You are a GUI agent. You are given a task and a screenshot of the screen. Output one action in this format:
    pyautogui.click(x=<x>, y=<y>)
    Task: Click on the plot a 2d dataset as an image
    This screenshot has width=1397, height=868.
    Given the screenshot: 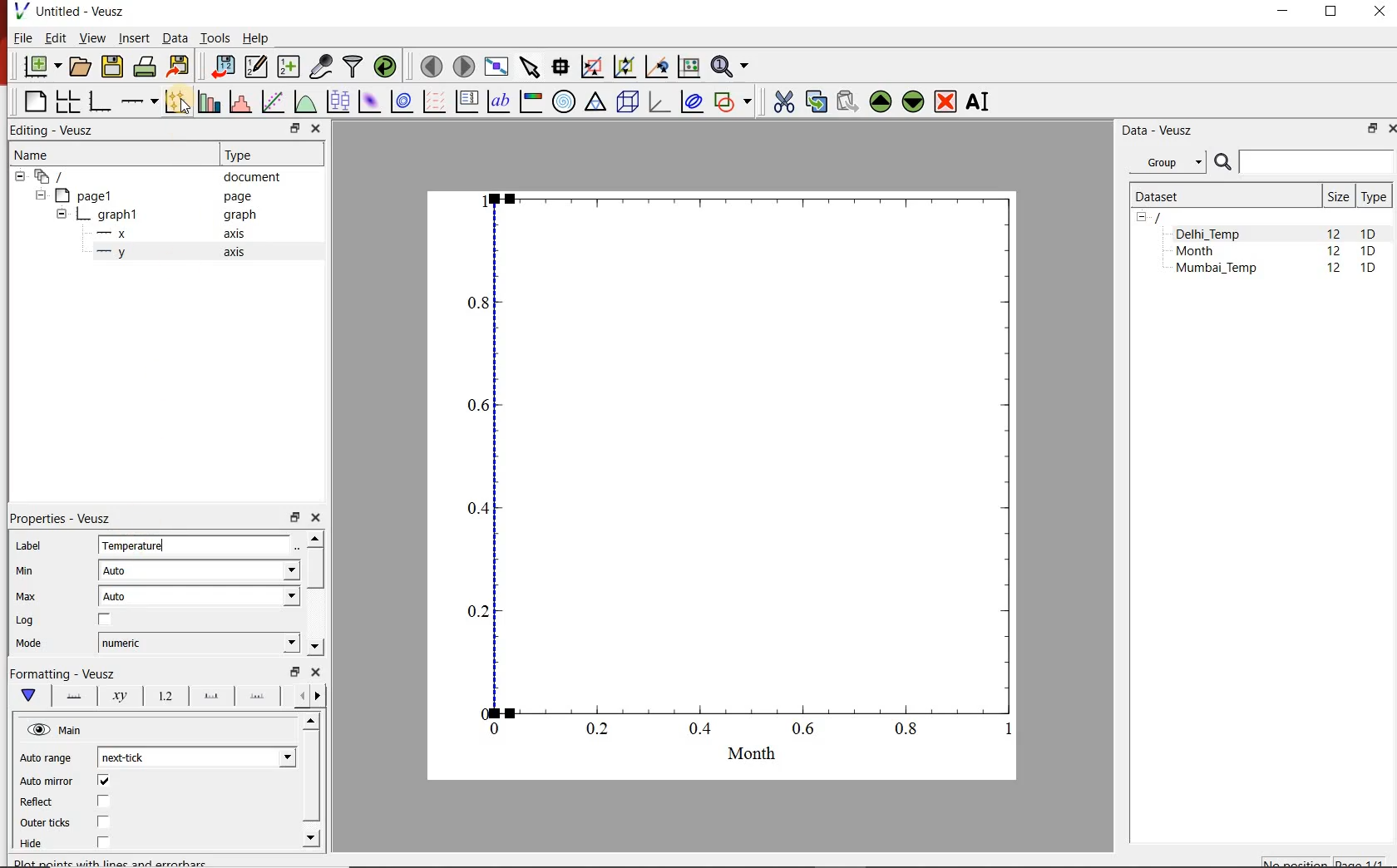 What is the action you would take?
    pyautogui.click(x=371, y=101)
    